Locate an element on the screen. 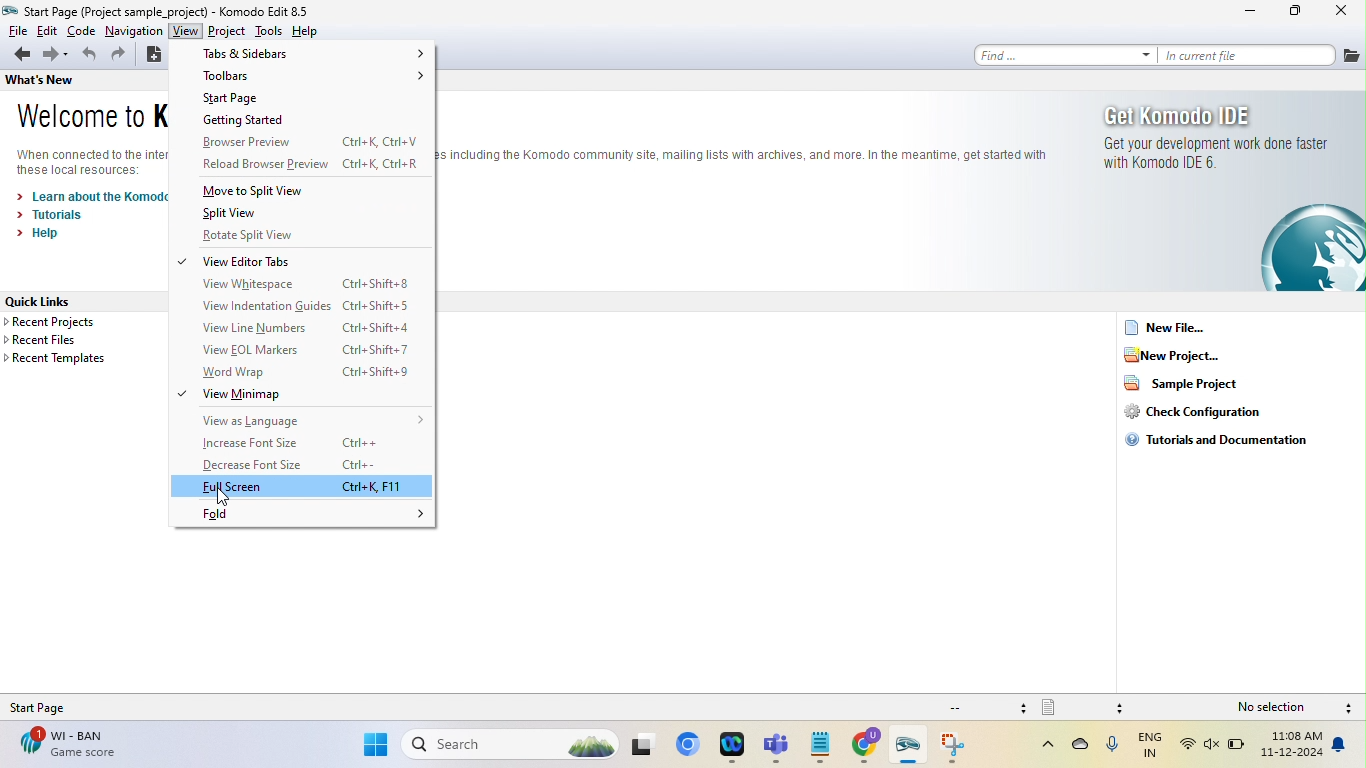 Image resolution: width=1366 pixels, height=768 pixels. view indentation guides is located at coordinates (304, 306).